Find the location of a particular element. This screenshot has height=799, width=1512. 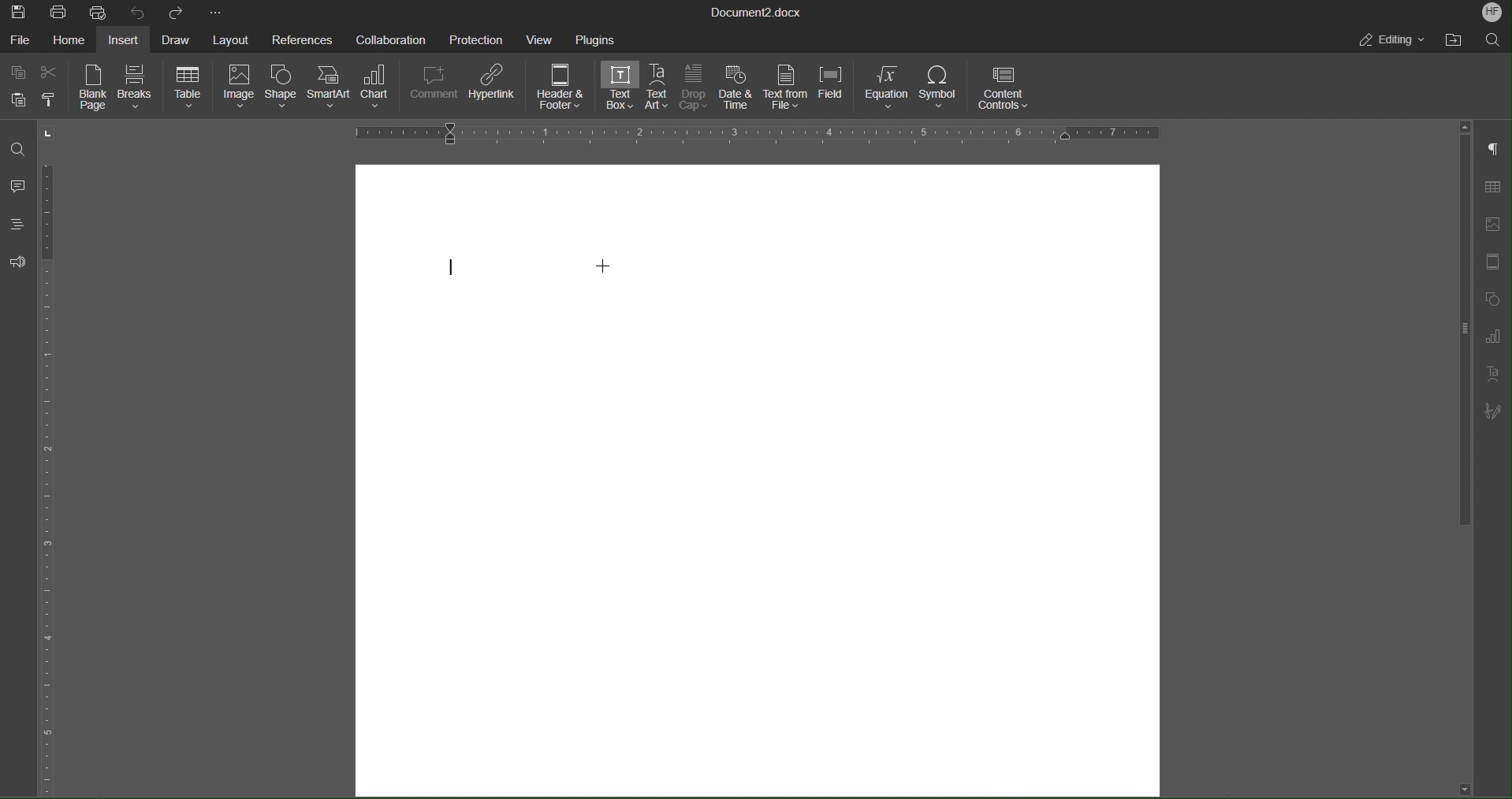

Equation is located at coordinates (886, 87).